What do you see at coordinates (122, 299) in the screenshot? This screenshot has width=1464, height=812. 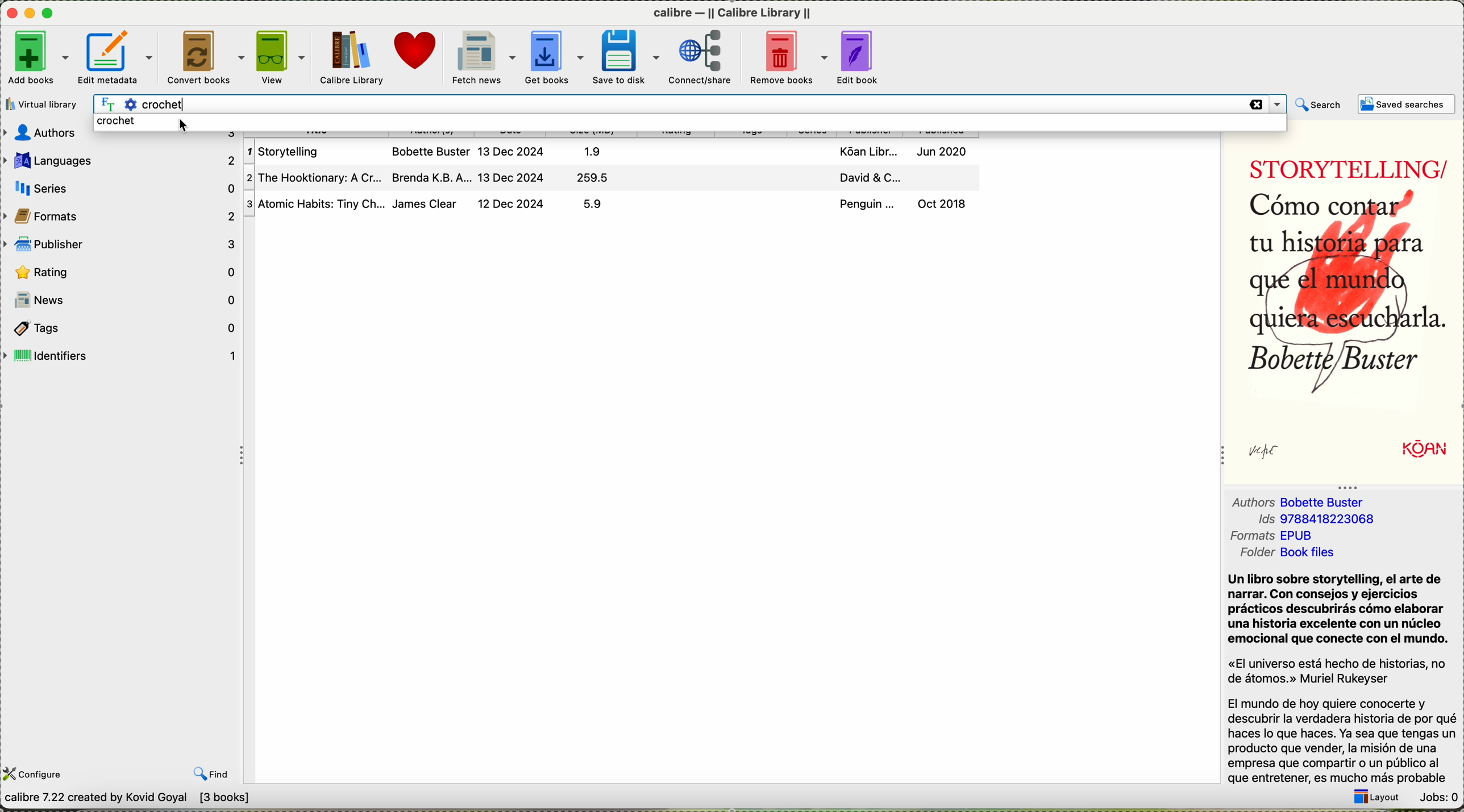 I see `news` at bounding box center [122, 299].